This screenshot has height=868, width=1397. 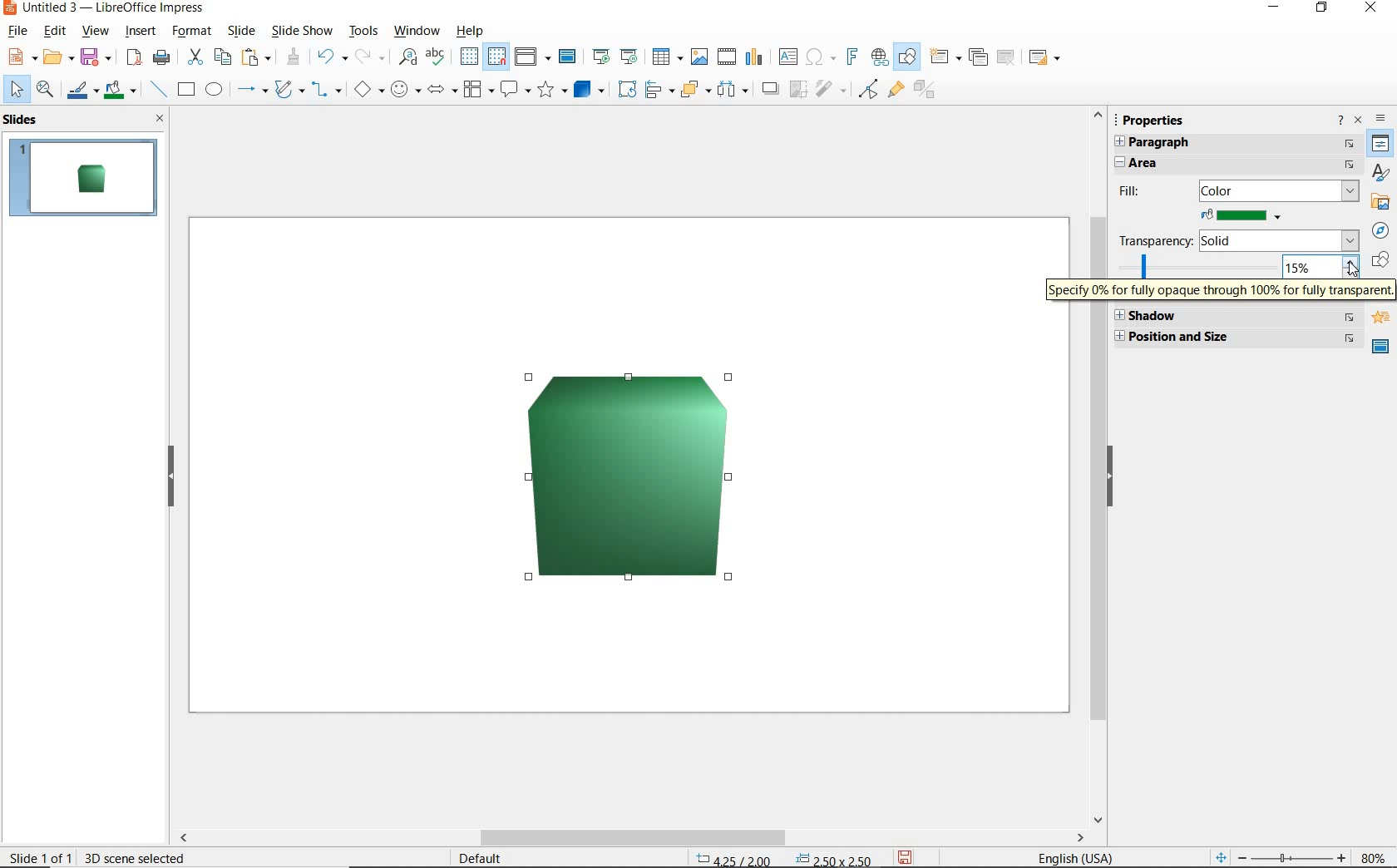 I want to click on insert hyperlink, so click(x=880, y=56).